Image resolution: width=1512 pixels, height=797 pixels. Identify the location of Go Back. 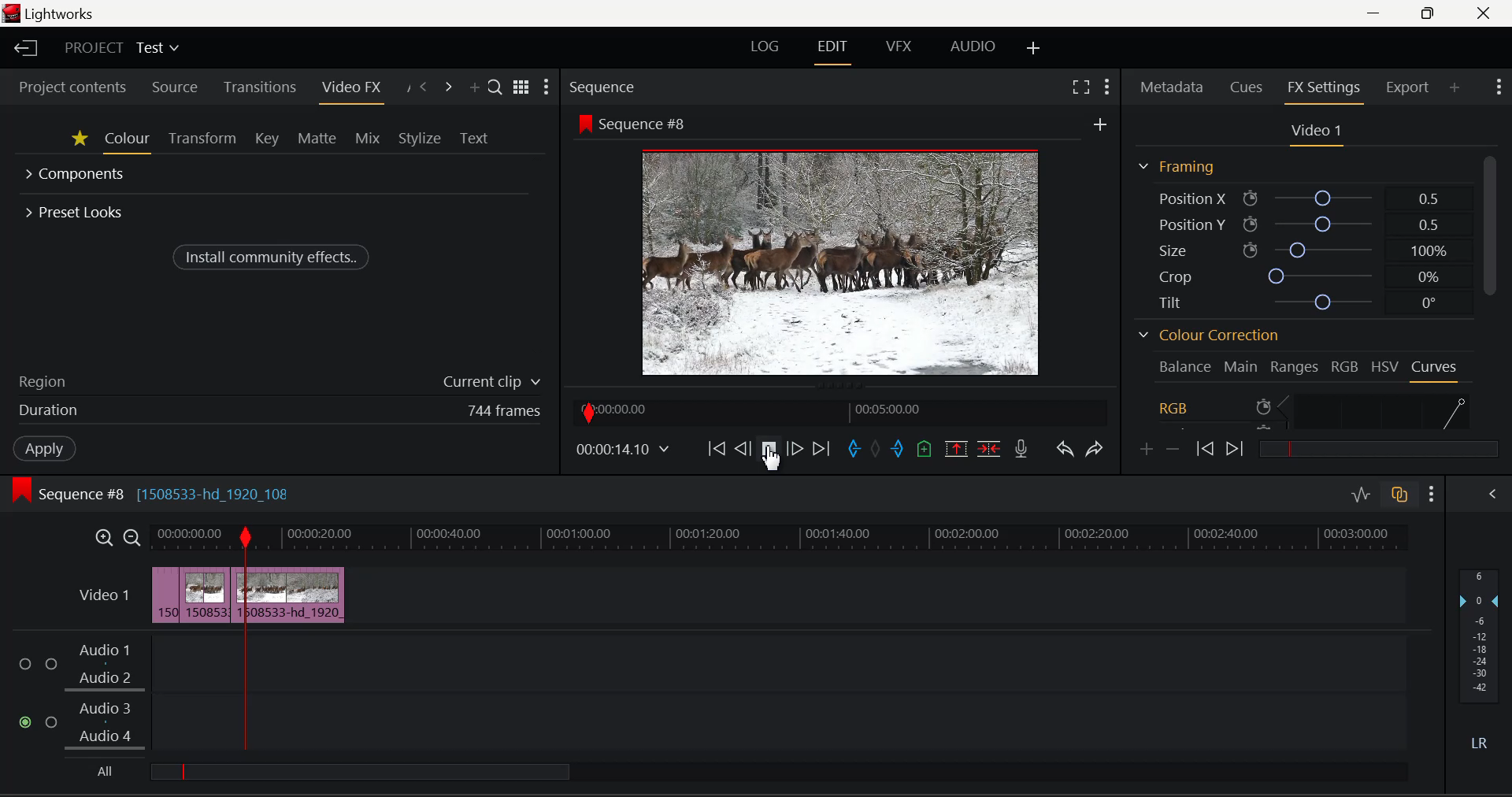
(743, 447).